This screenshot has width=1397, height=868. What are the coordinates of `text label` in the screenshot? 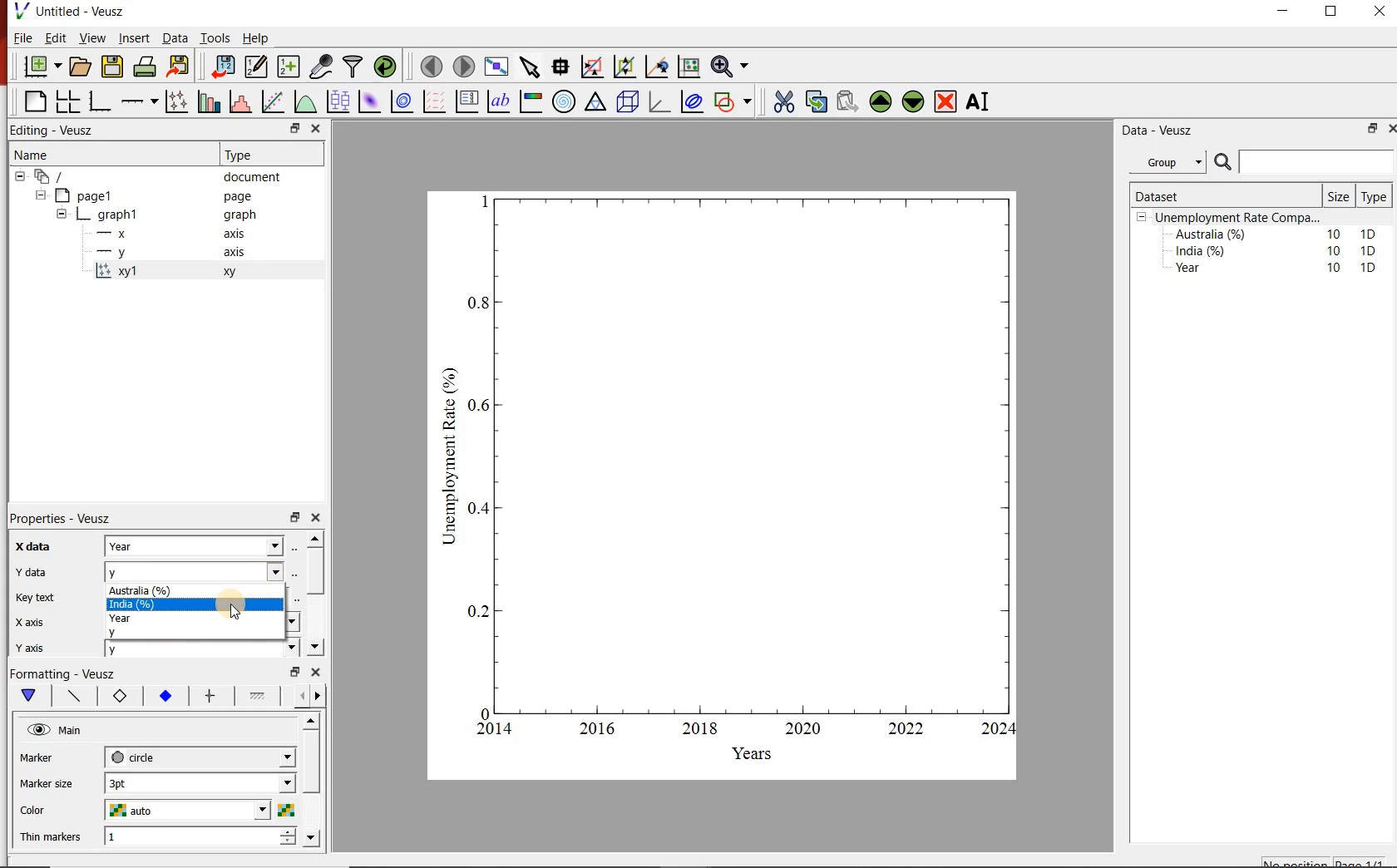 It's located at (499, 101).